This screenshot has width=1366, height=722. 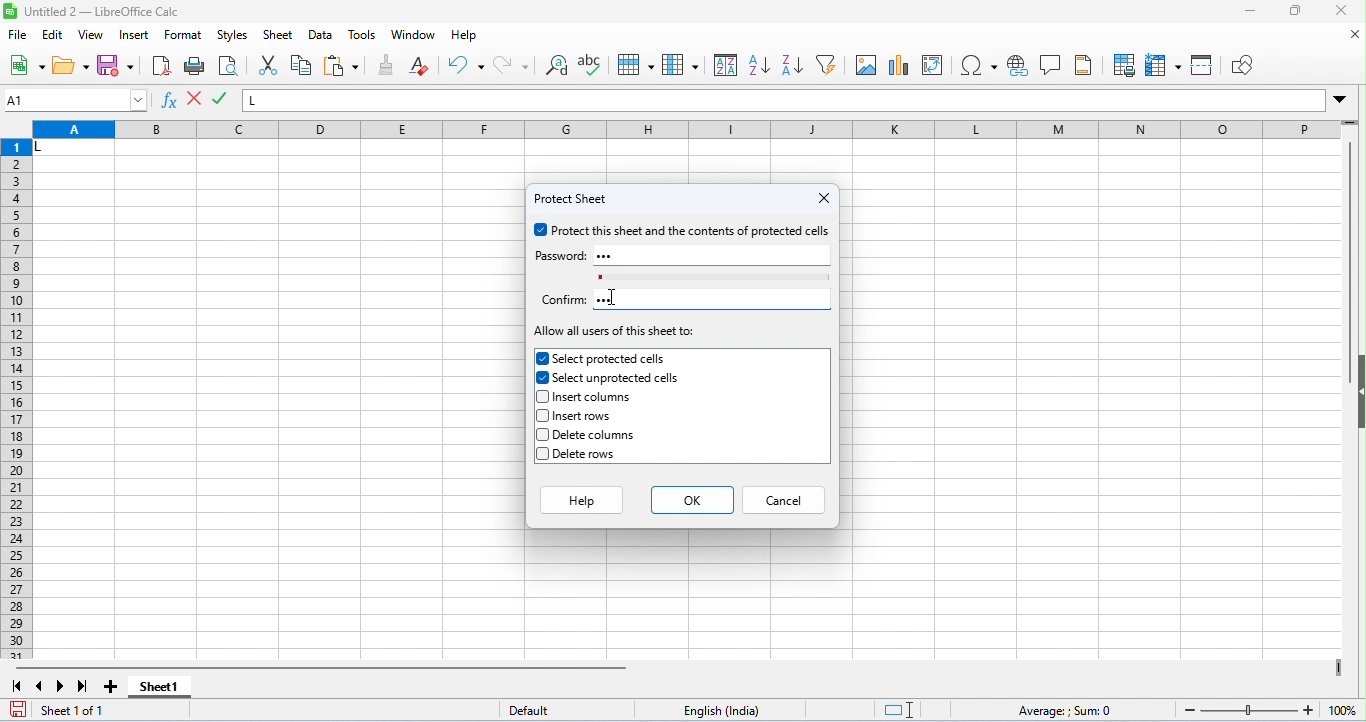 What do you see at coordinates (342, 67) in the screenshot?
I see `paste` at bounding box center [342, 67].